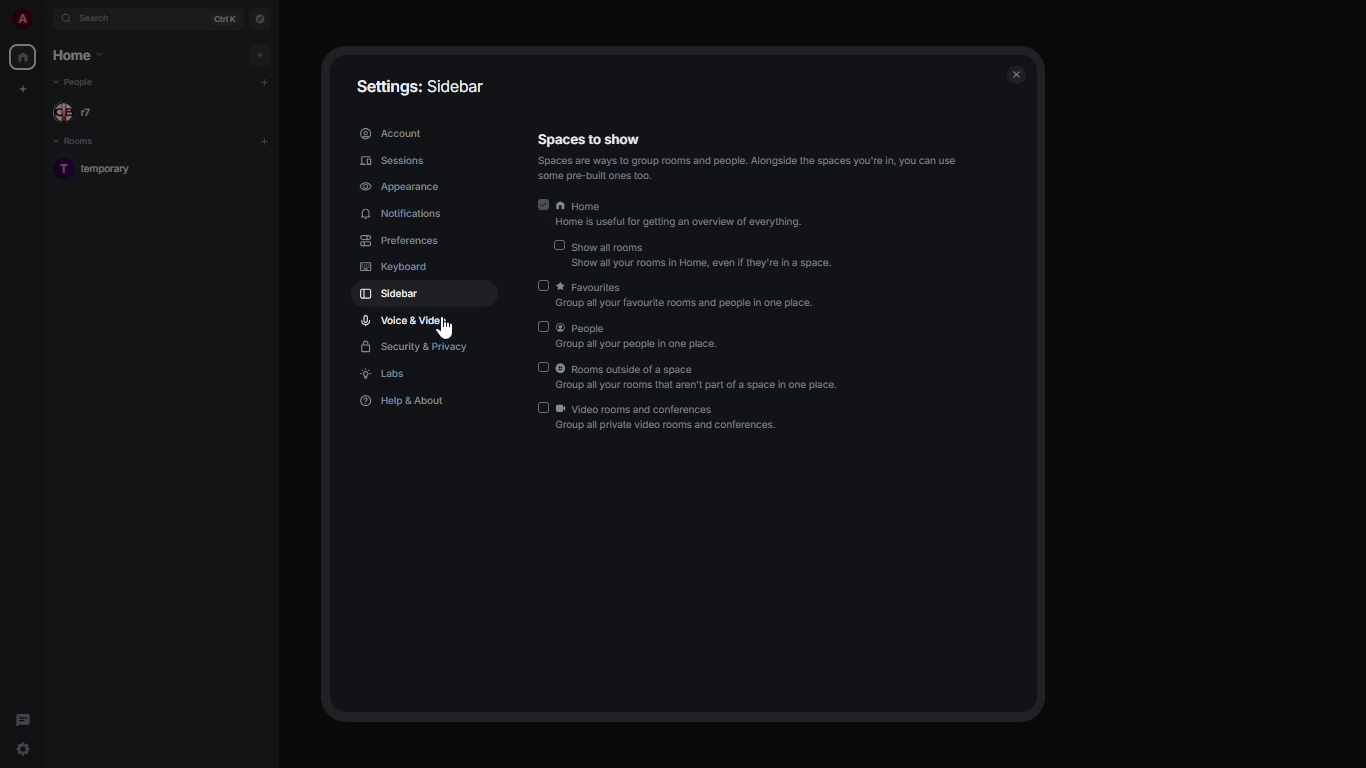  Describe the element at coordinates (225, 19) in the screenshot. I see `ctrl K` at that location.